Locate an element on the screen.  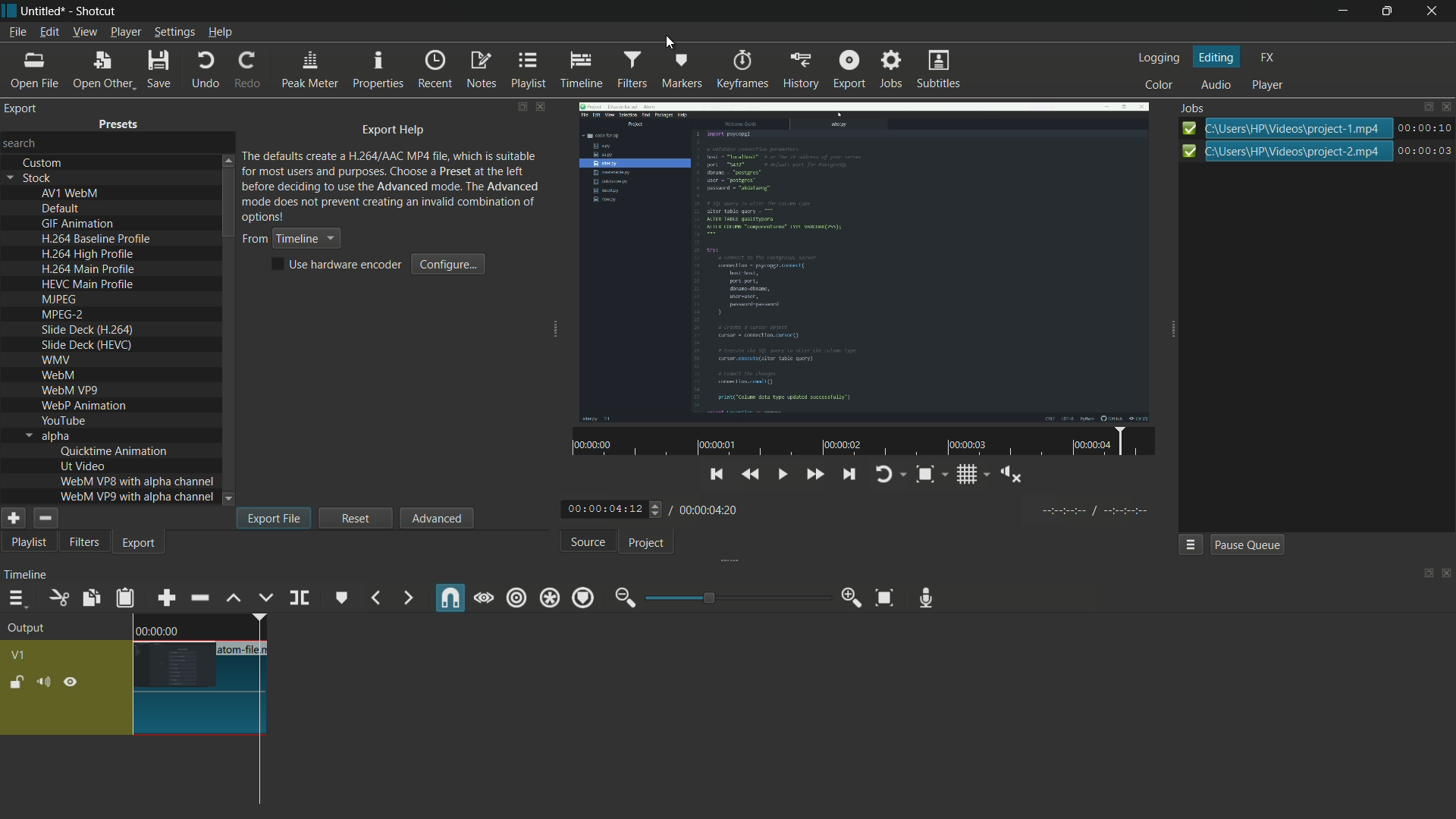
filters is located at coordinates (84, 543).